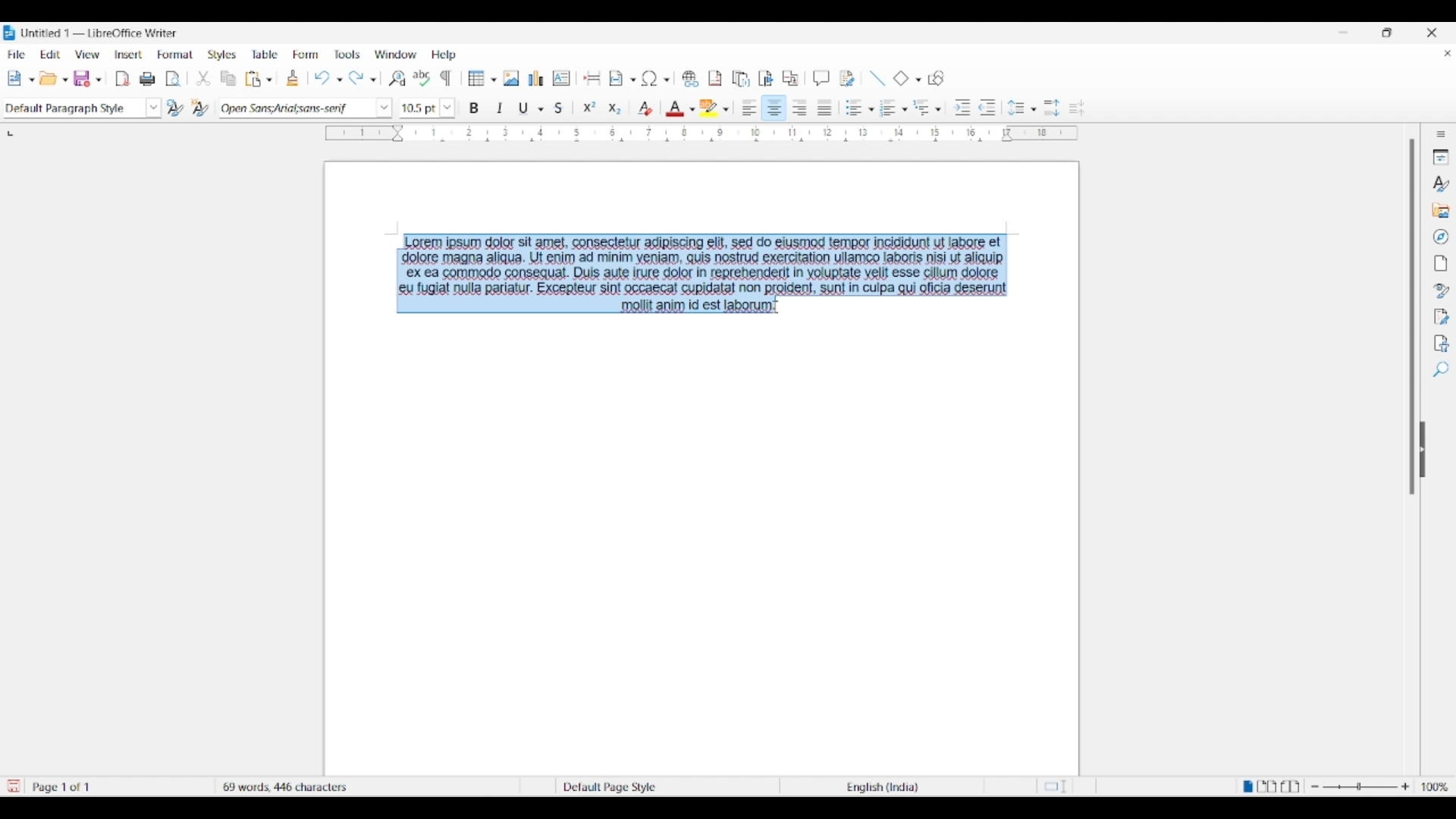 This screenshot has width=1456, height=819. Describe the element at coordinates (475, 108) in the screenshot. I see `Bold` at that location.